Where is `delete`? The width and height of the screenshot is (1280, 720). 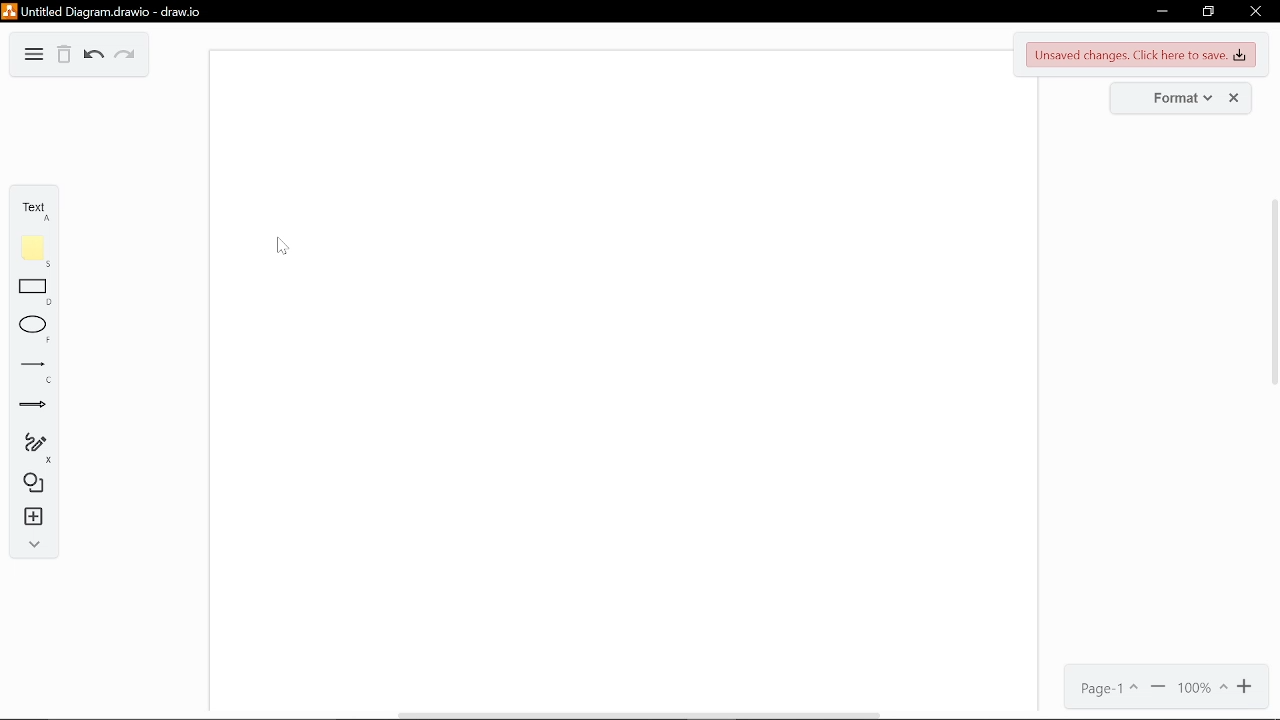 delete is located at coordinates (65, 55).